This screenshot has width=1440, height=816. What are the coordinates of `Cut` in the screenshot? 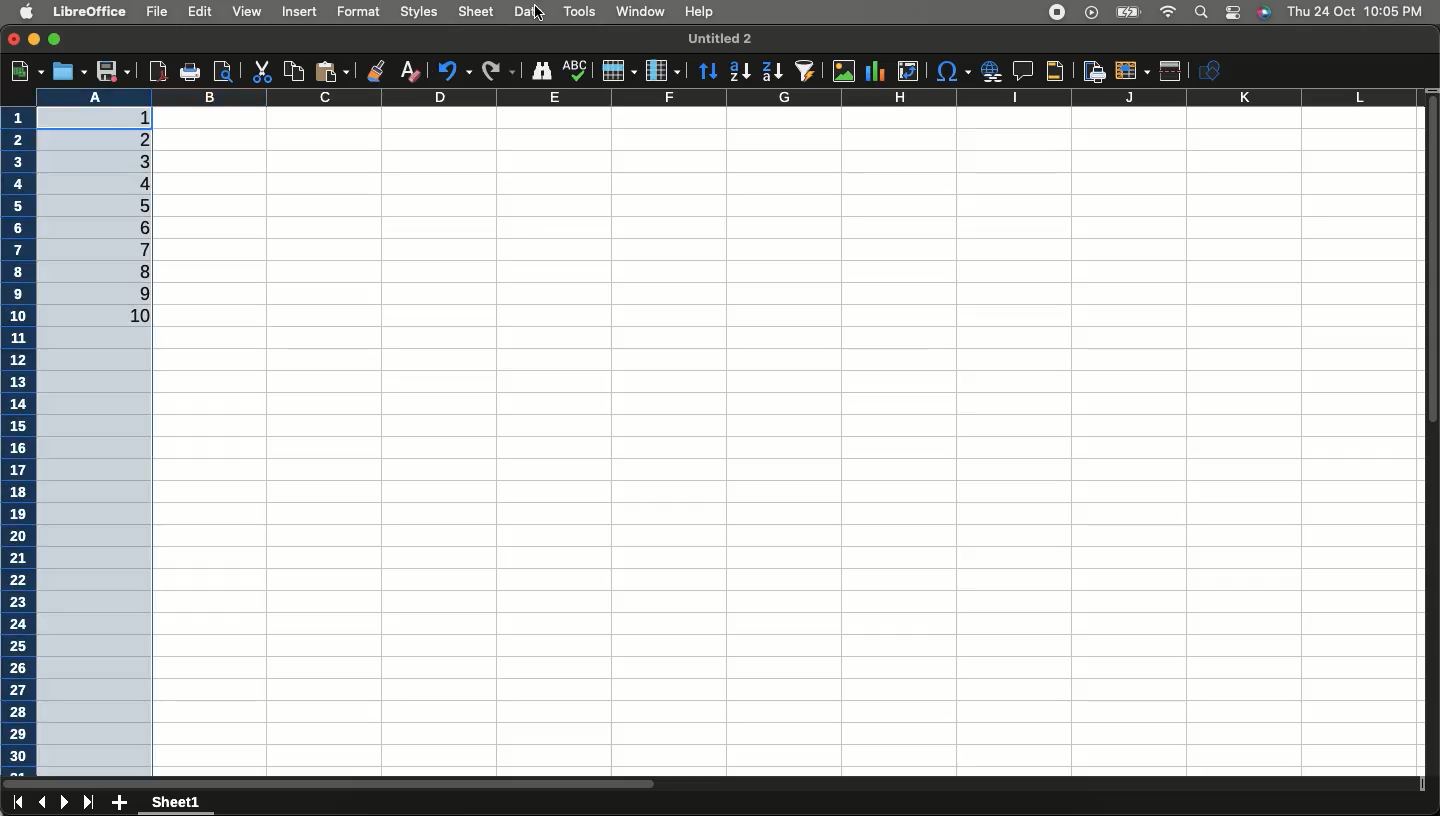 It's located at (260, 71).